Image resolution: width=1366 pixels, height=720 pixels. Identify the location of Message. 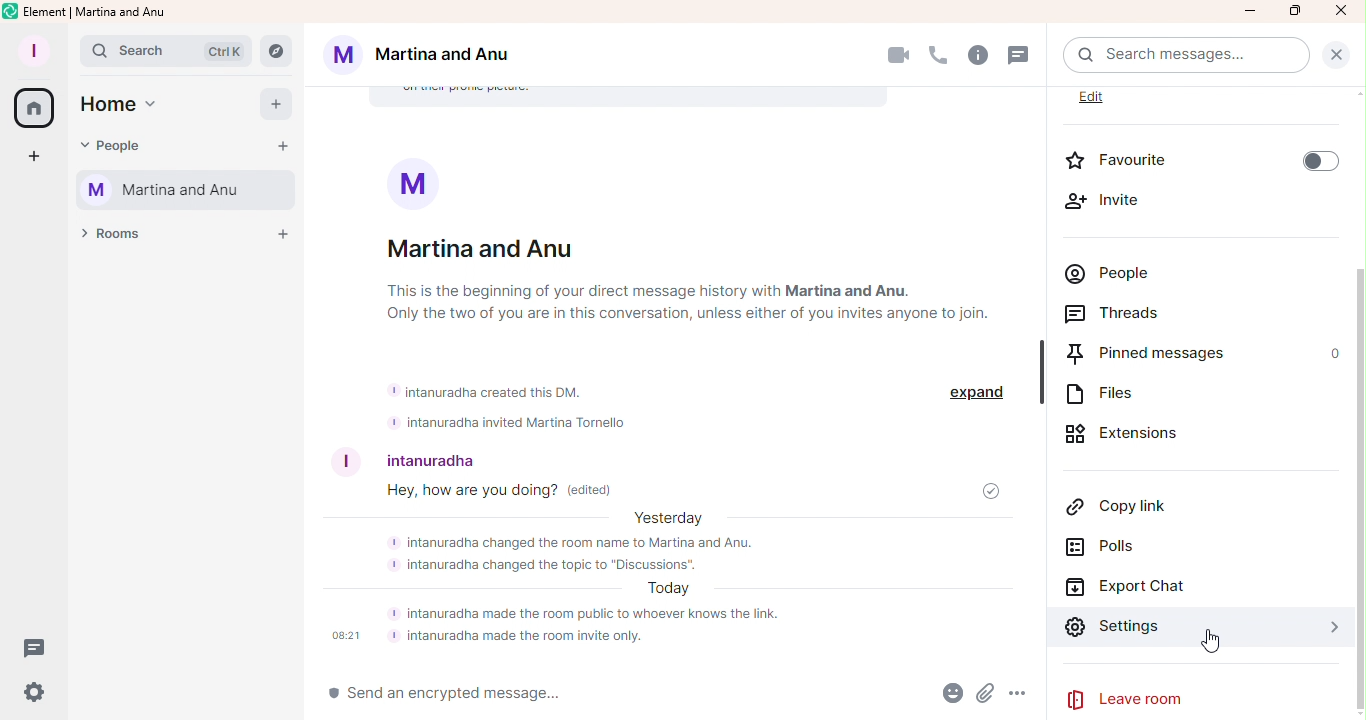
(488, 494).